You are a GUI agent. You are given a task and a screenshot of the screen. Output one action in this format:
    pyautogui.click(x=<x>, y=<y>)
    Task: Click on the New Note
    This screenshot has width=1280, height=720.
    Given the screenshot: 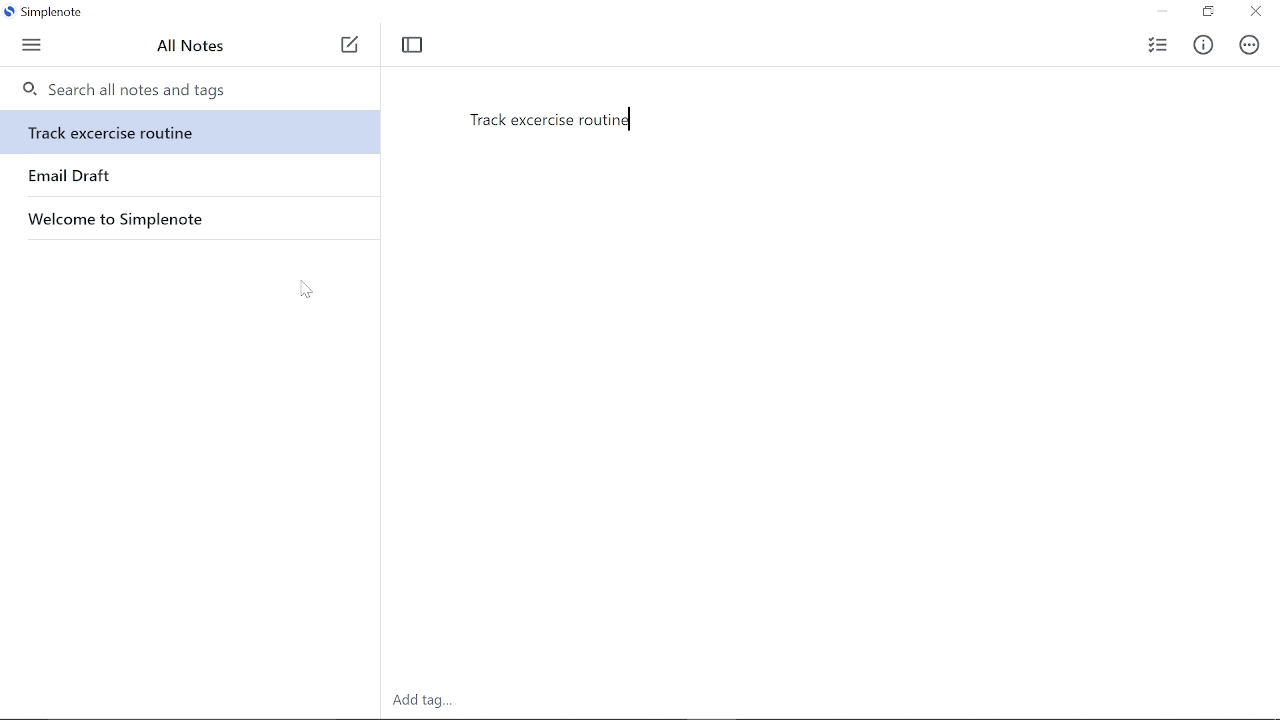 What is the action you would take?
    pyautogui.click(x=351, y=48)
    